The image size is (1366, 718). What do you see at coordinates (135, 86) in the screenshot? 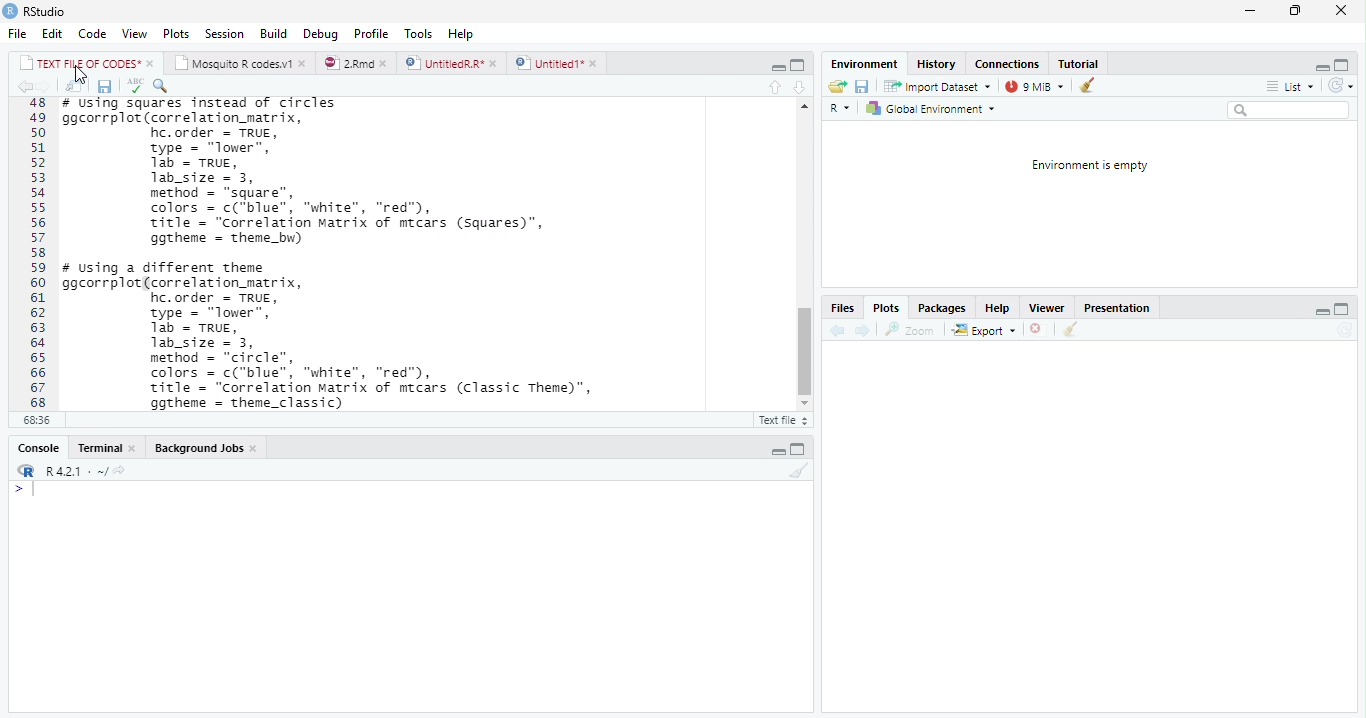
I see `spelling` at bounding box center [135, 86].